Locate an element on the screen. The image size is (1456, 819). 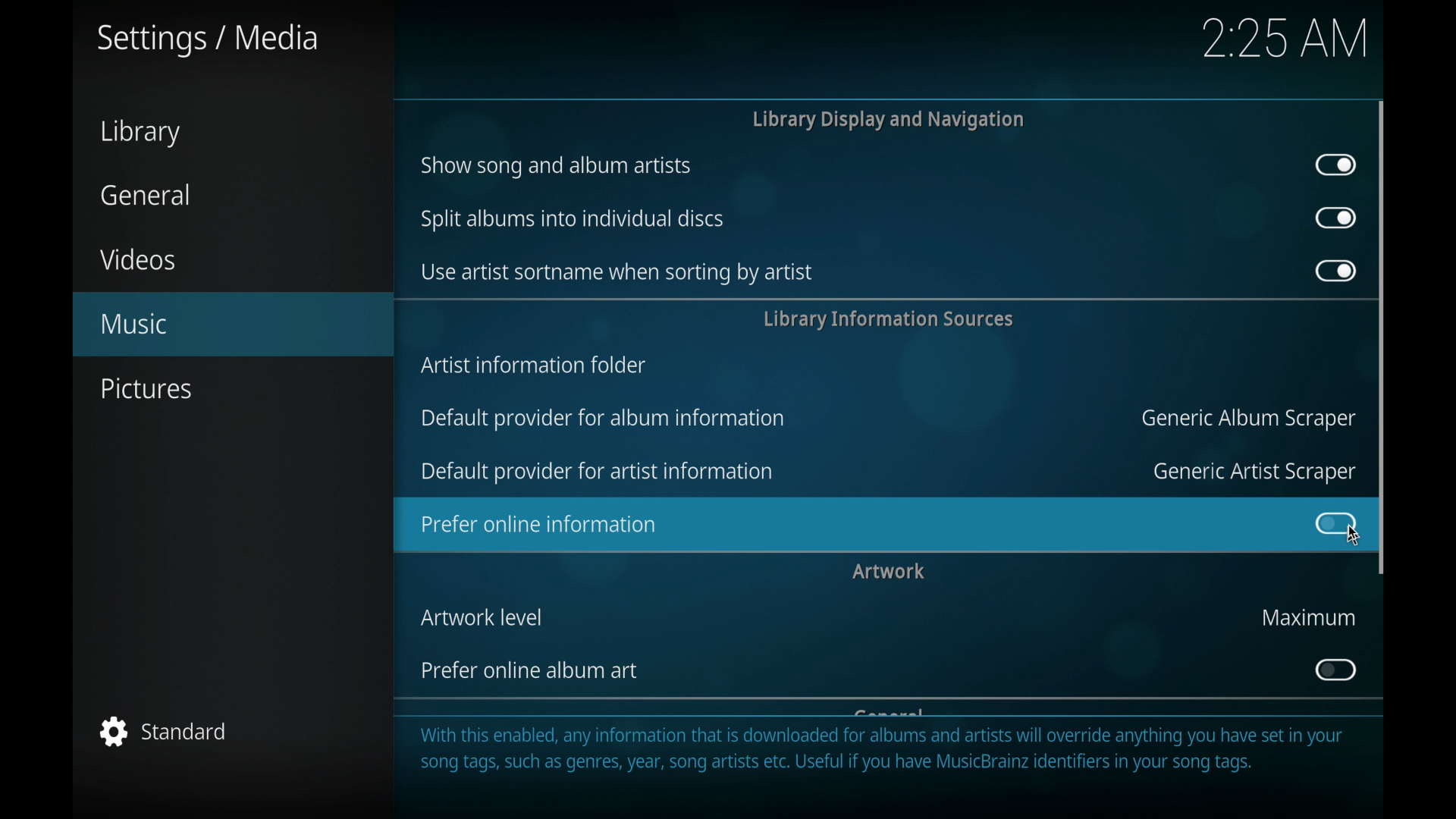
toggle button is located at coordinates (1332, 522).